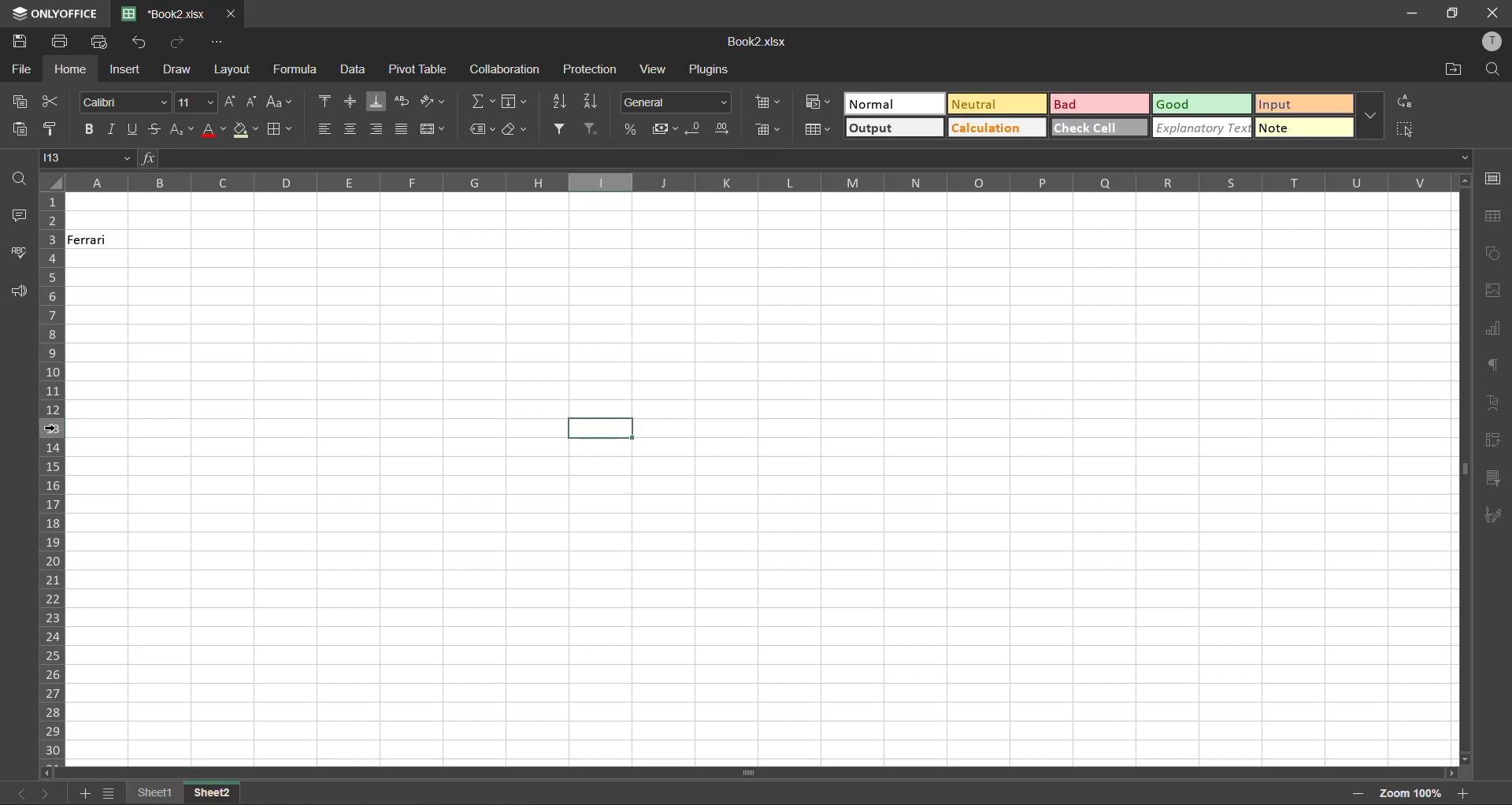  What do you see at coordinates (87, 159) in the screenshot?
I see `cell address` at bounding box center [87, 159].